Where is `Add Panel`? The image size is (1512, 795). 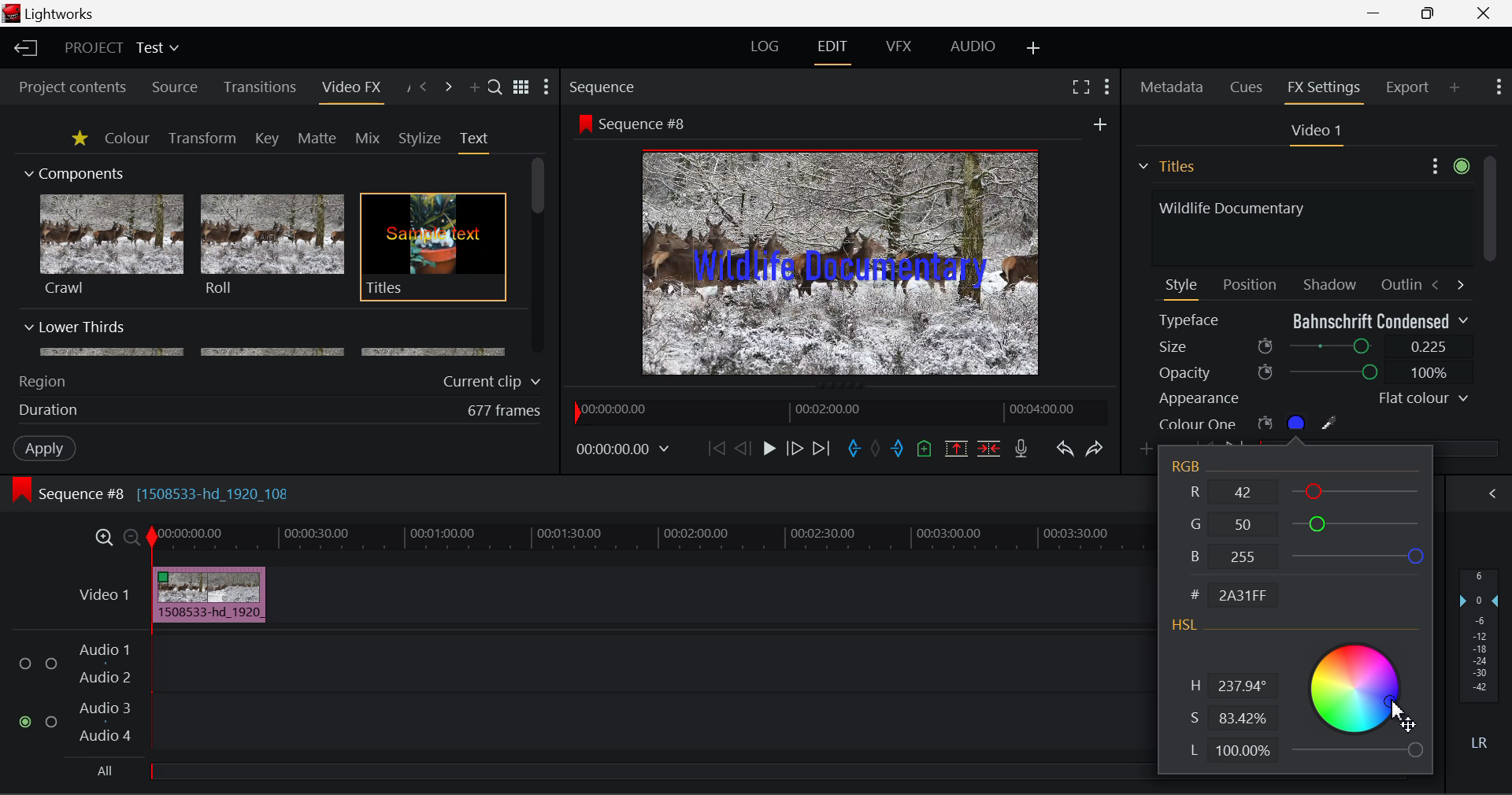
Add Panel is located at coordinates (472, 88).